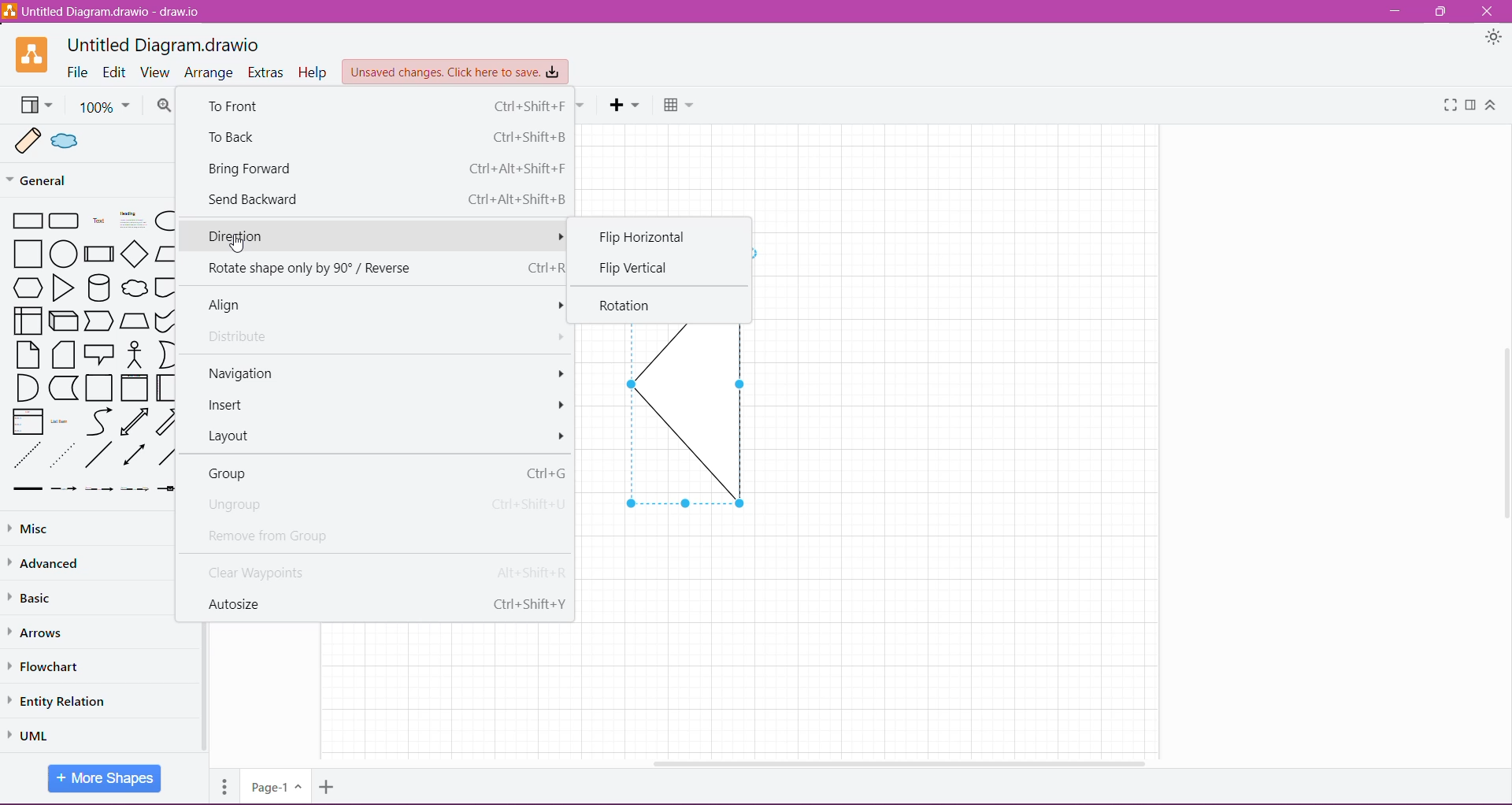 This screenshot has width=1512, height=805. Describe the element at coordinates (647, 237) in the screenshot. I see `Flip Horizontal` at that location.